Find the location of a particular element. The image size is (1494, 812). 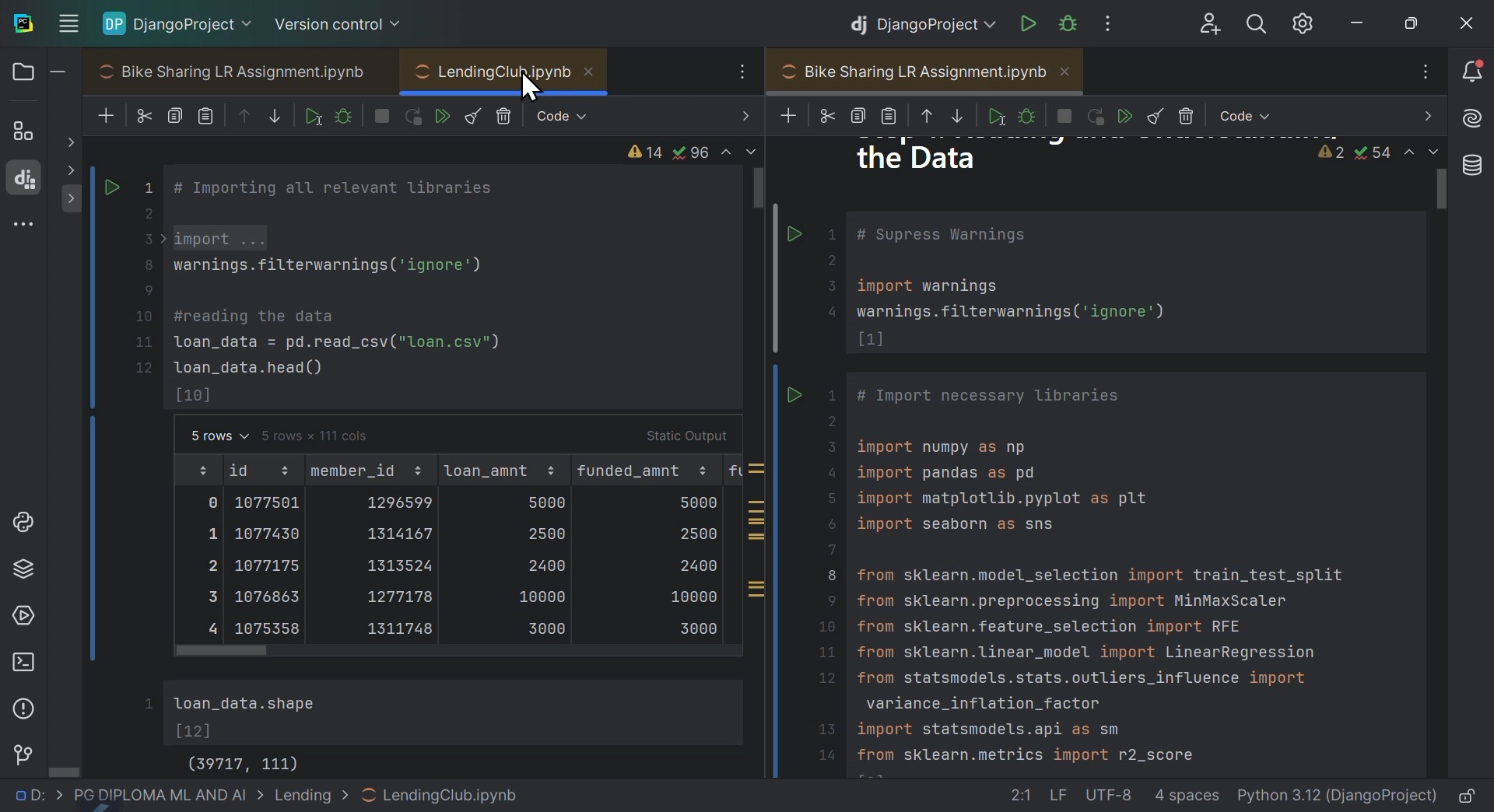

 is located at coordinates (857, 114).